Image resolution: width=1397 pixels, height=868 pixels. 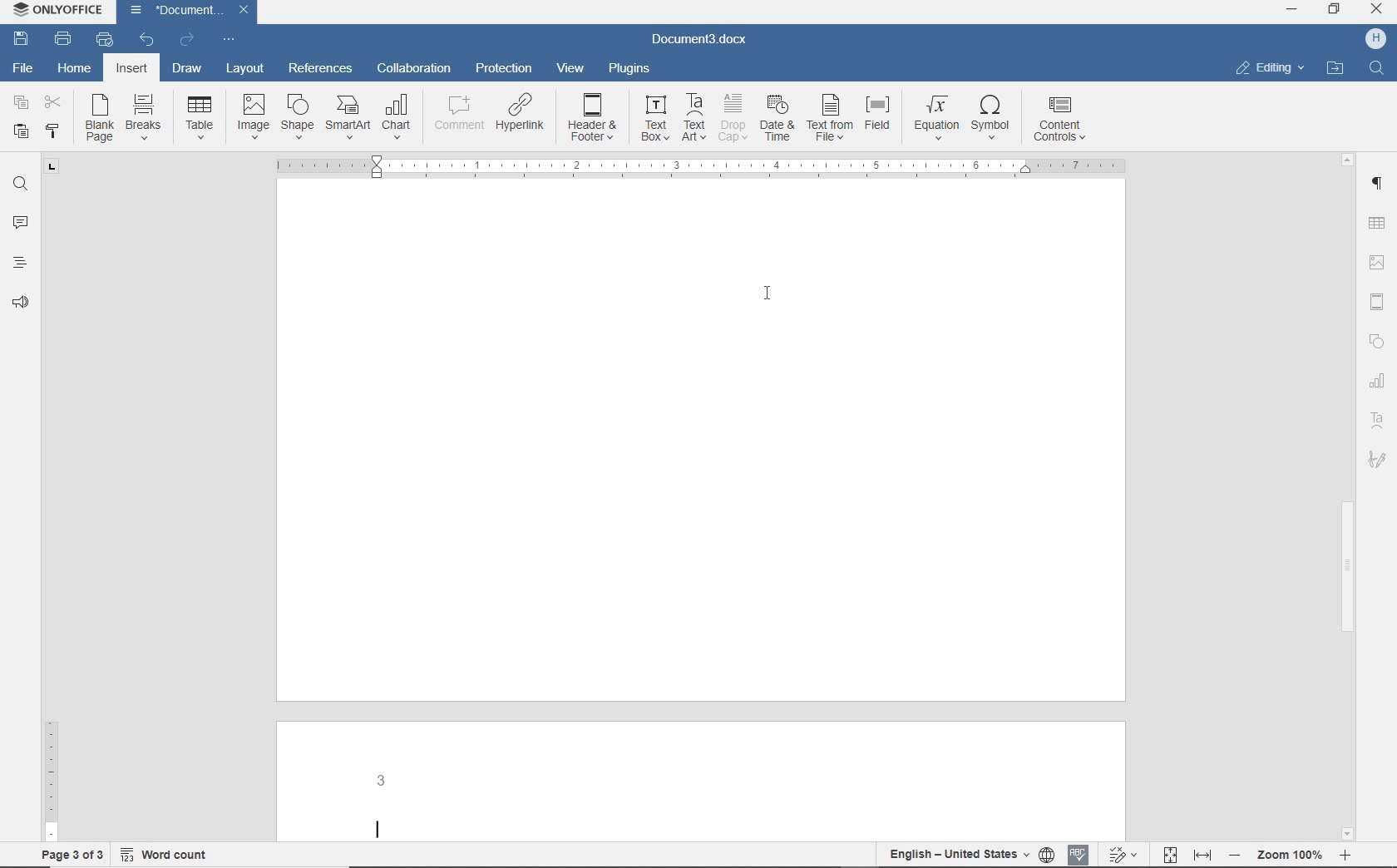 What do you see at coordinates (1375, 40) in the screenshot?
I see `H` at bounding box center [1375, 40].